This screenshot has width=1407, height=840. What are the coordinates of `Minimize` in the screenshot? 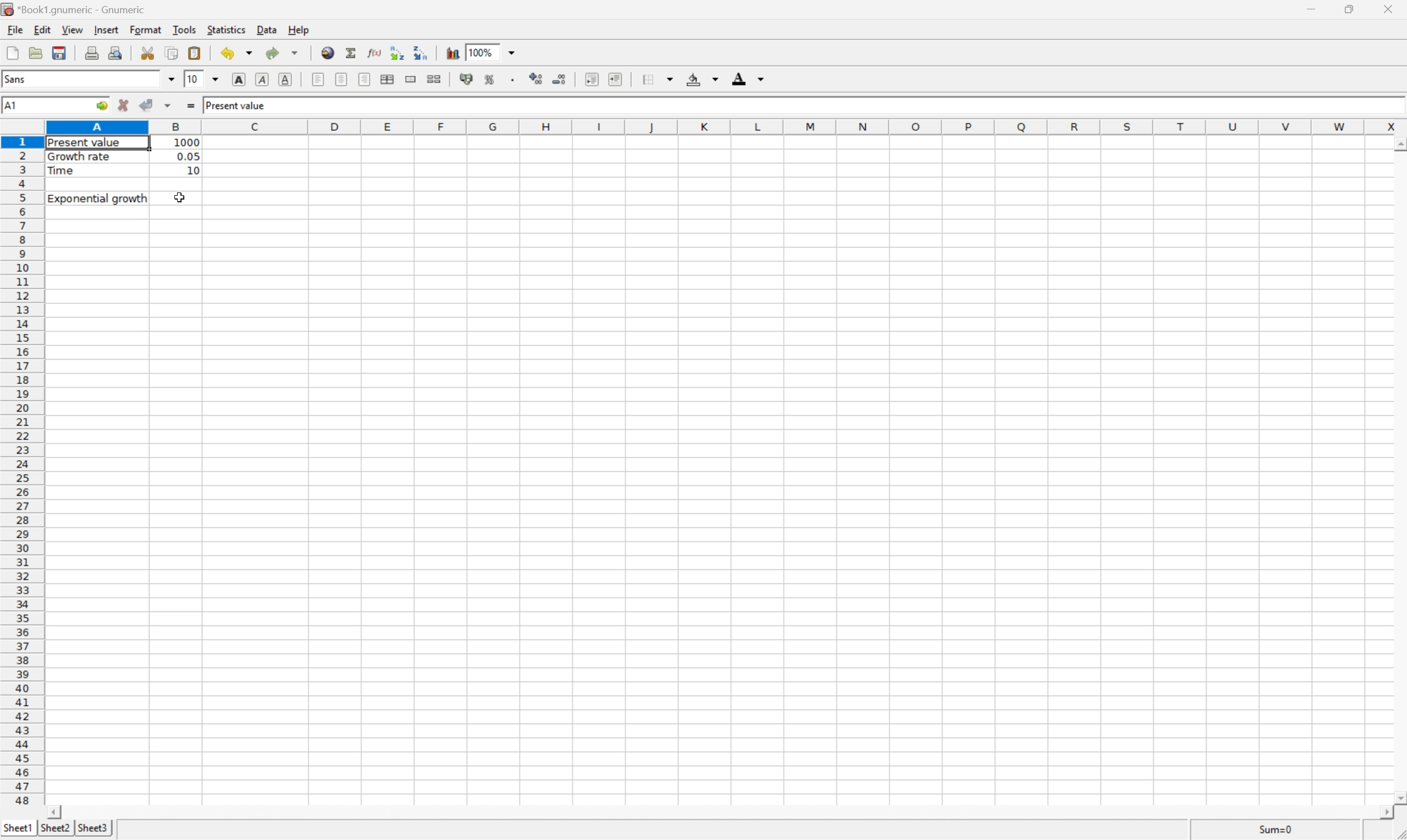 It's located at (1311, 10).